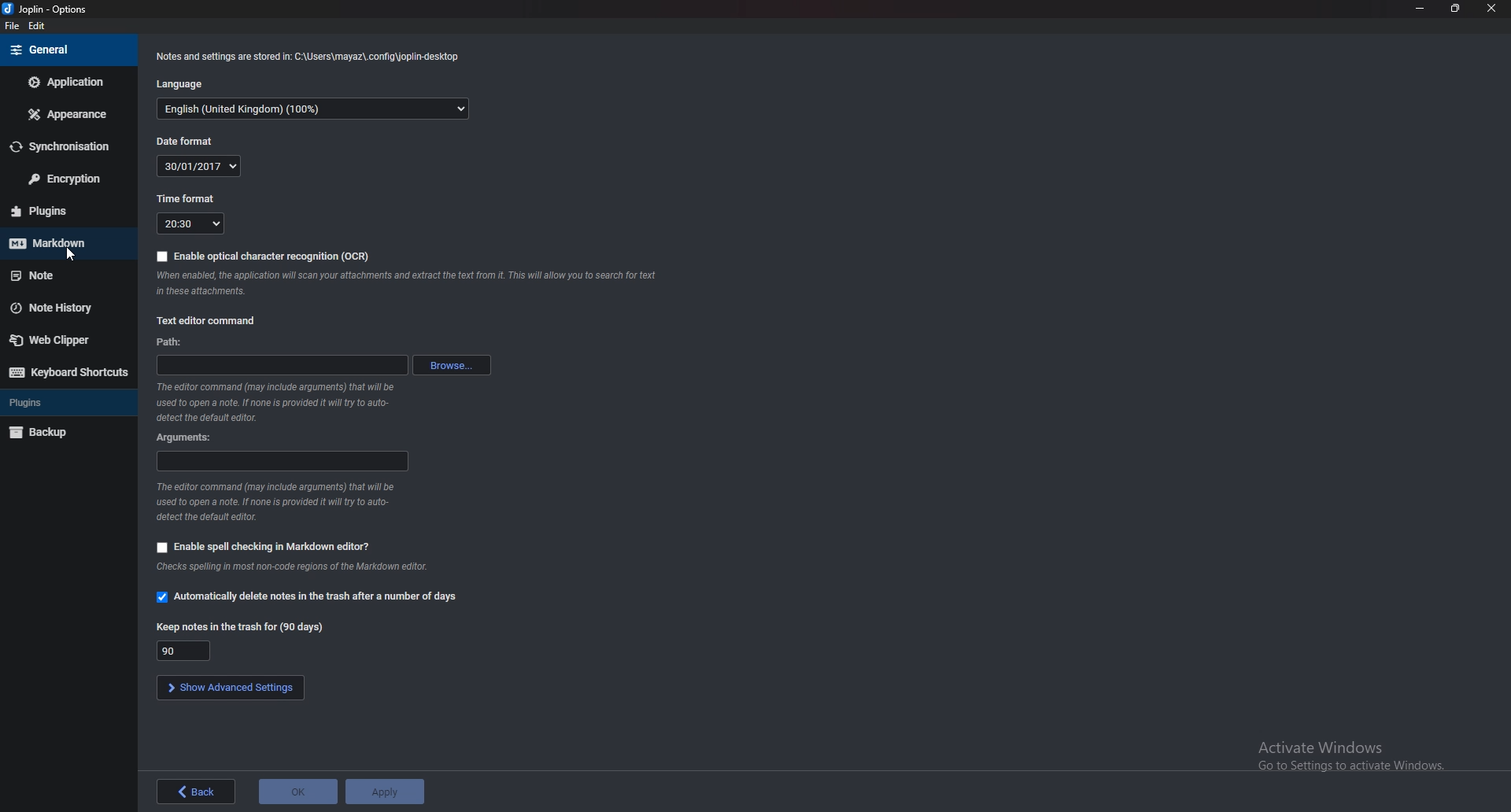 This screenshot has height=812, width=1511. I want to click on Mark down, so click(62, 241).